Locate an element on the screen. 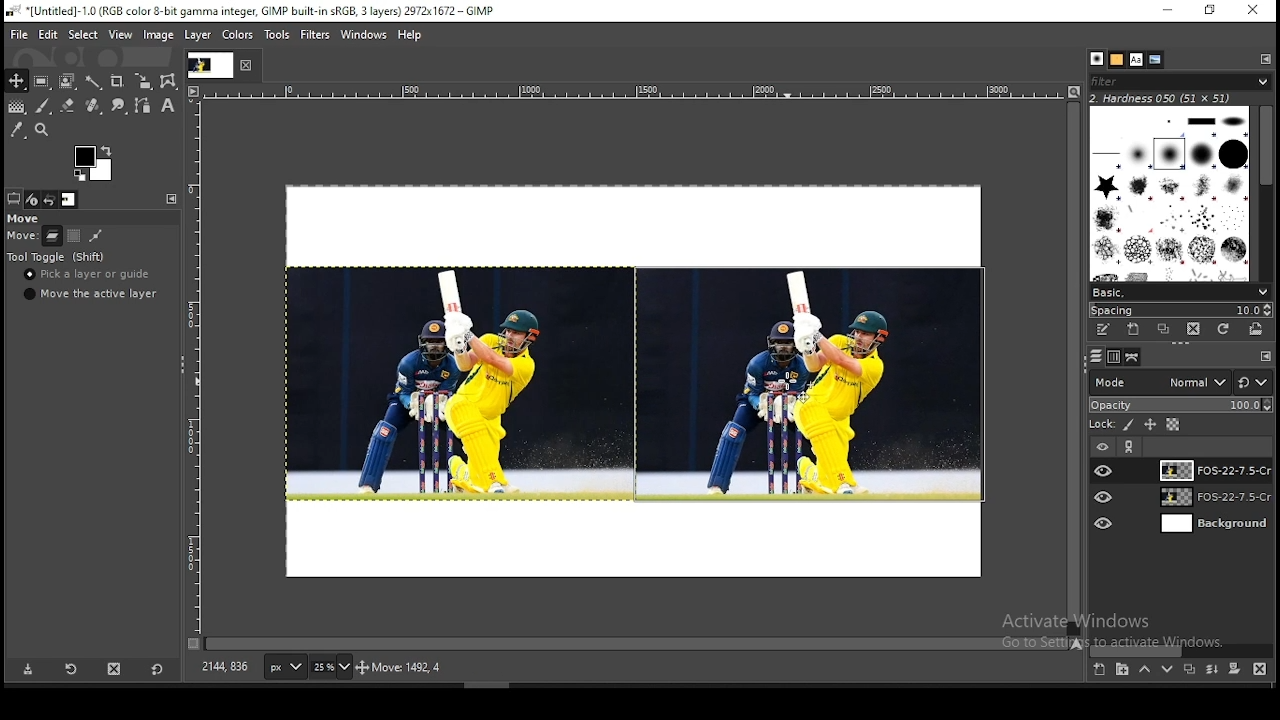 The image size is (1280, 720). document history is located at coordinates (1156, 60).